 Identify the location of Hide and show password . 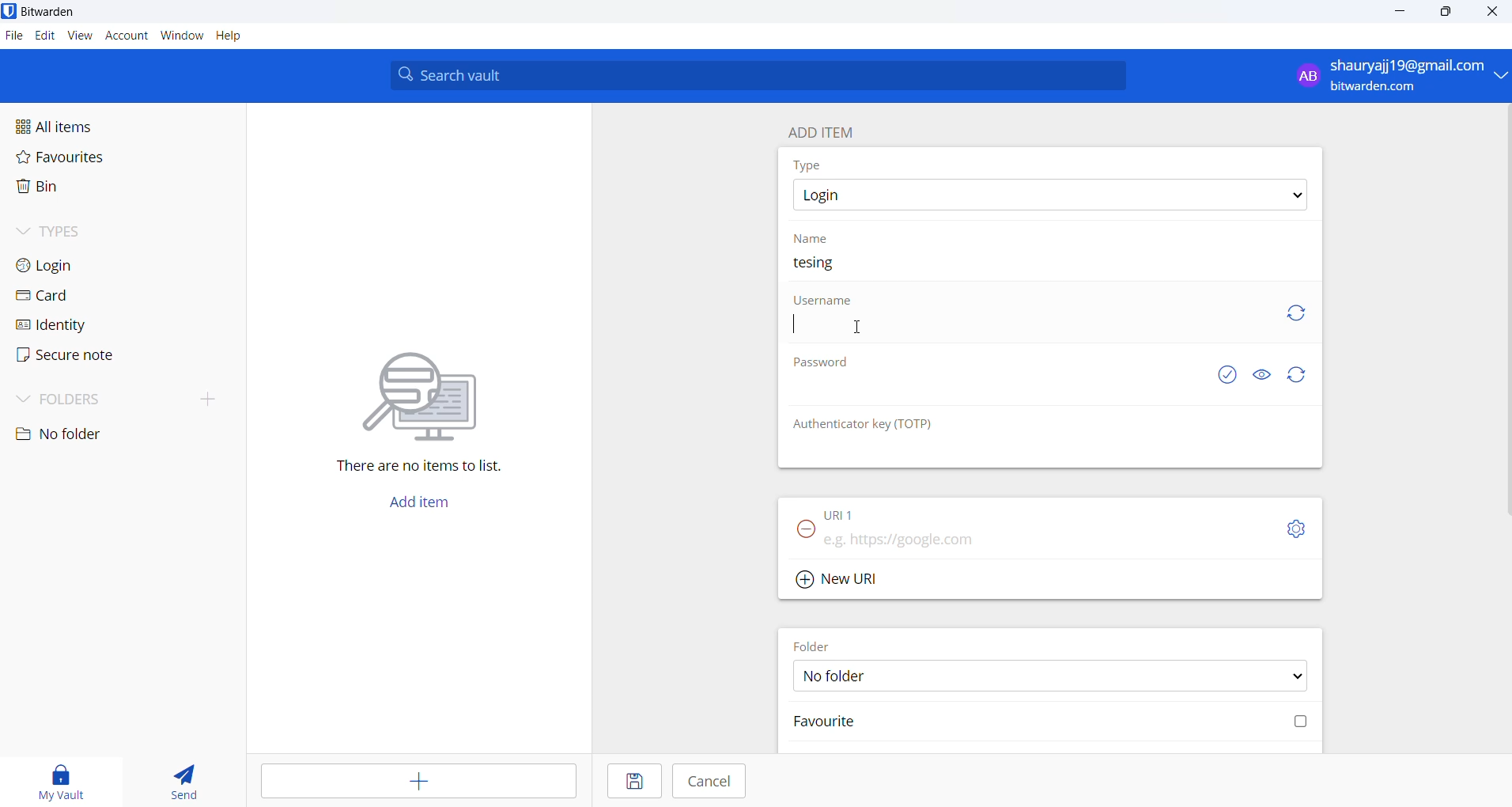
(1261, 375).